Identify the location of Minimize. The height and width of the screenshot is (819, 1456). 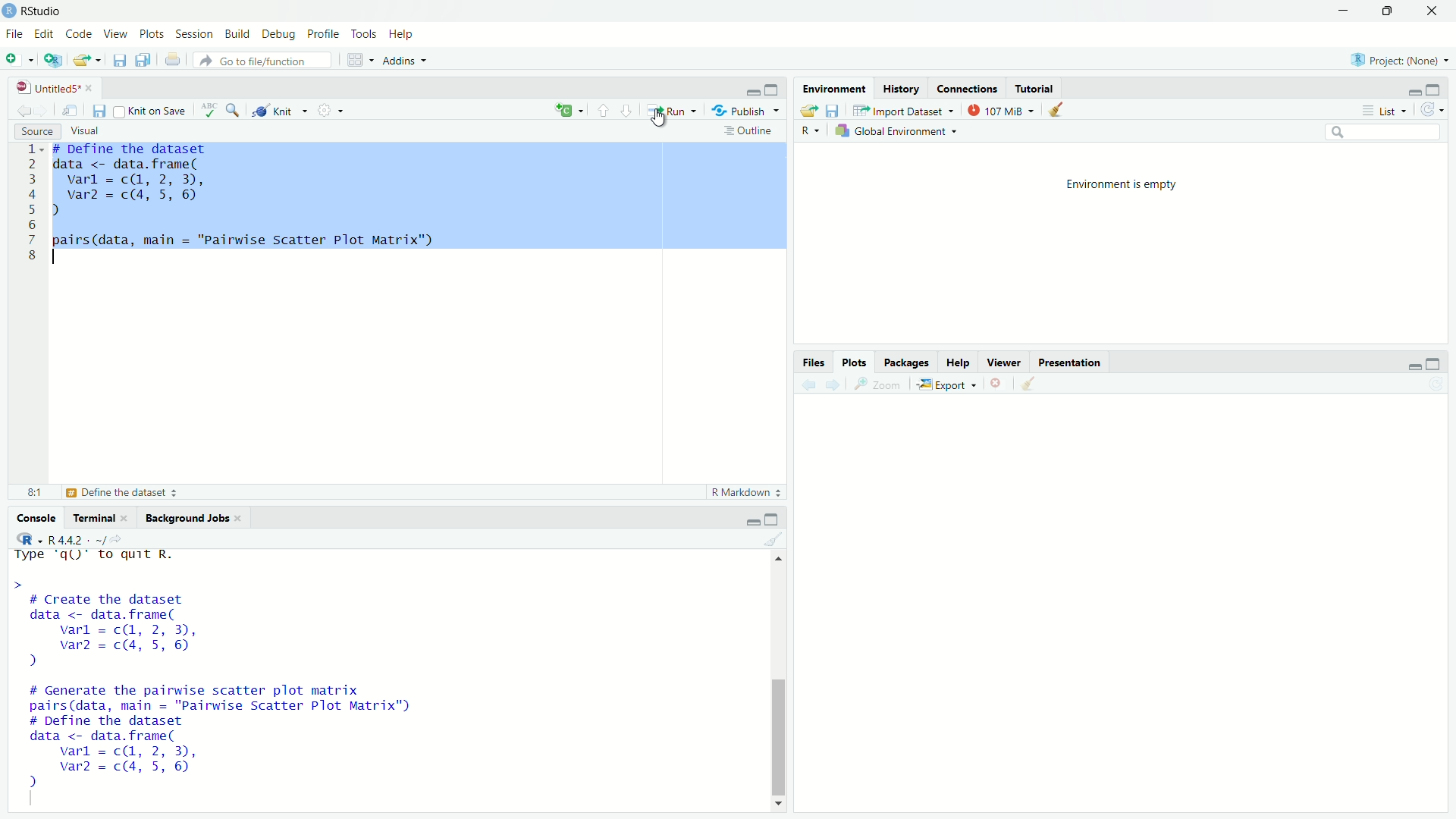
(752, 521).